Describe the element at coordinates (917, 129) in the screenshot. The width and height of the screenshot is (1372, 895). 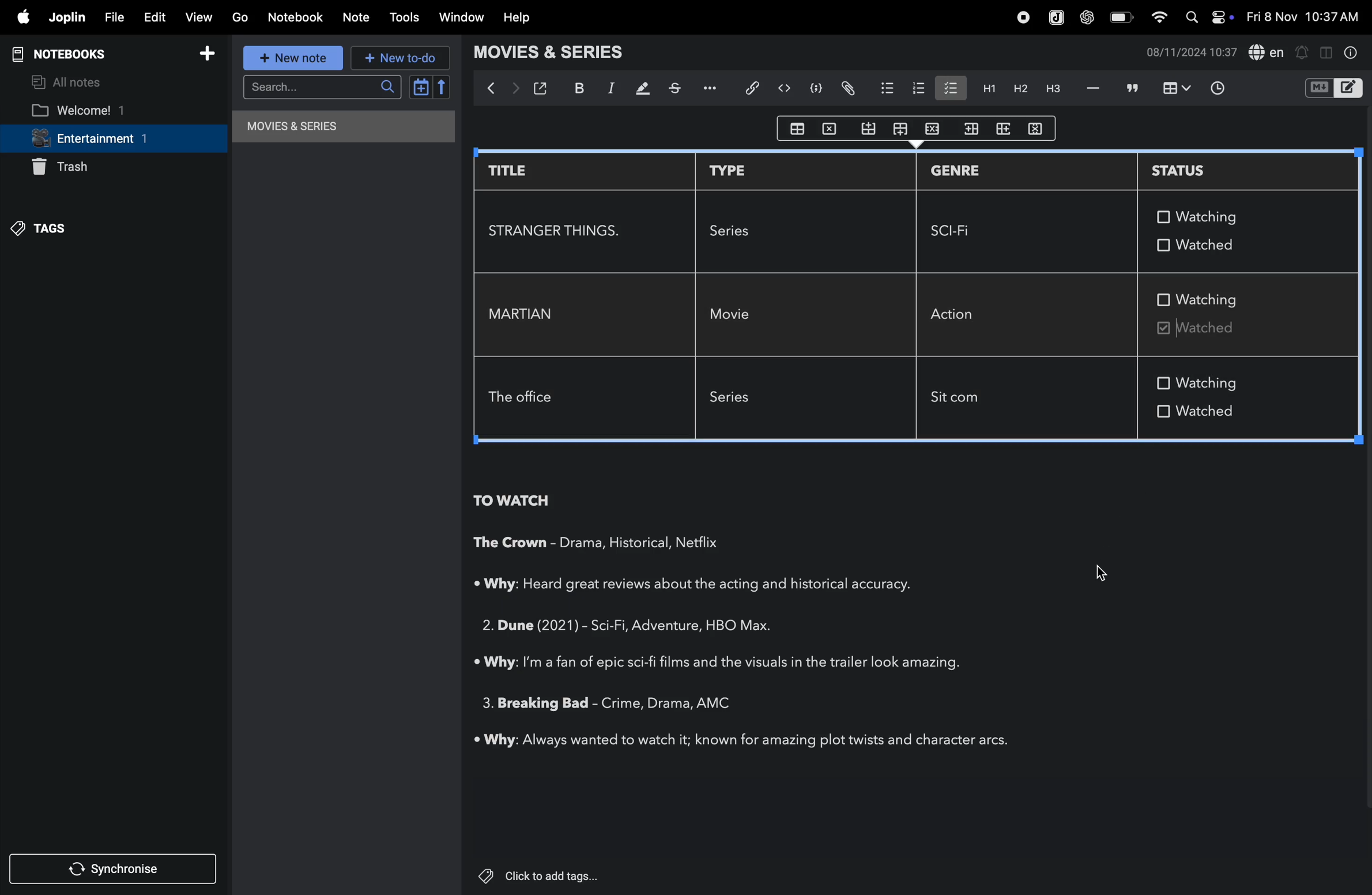
I see `Icons` at that location.